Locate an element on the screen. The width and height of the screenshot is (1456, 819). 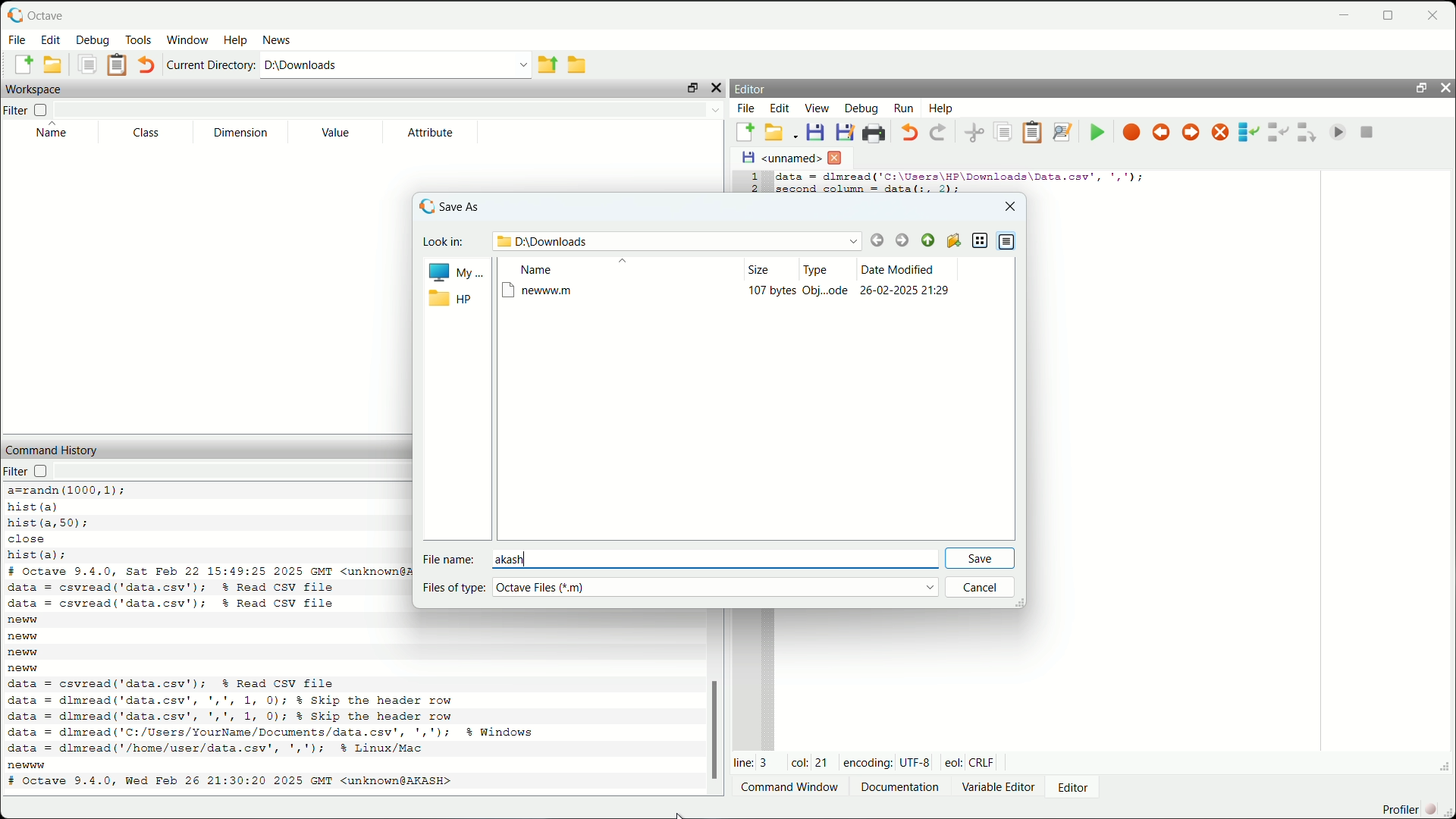
name is located at coordinates (55, 134).